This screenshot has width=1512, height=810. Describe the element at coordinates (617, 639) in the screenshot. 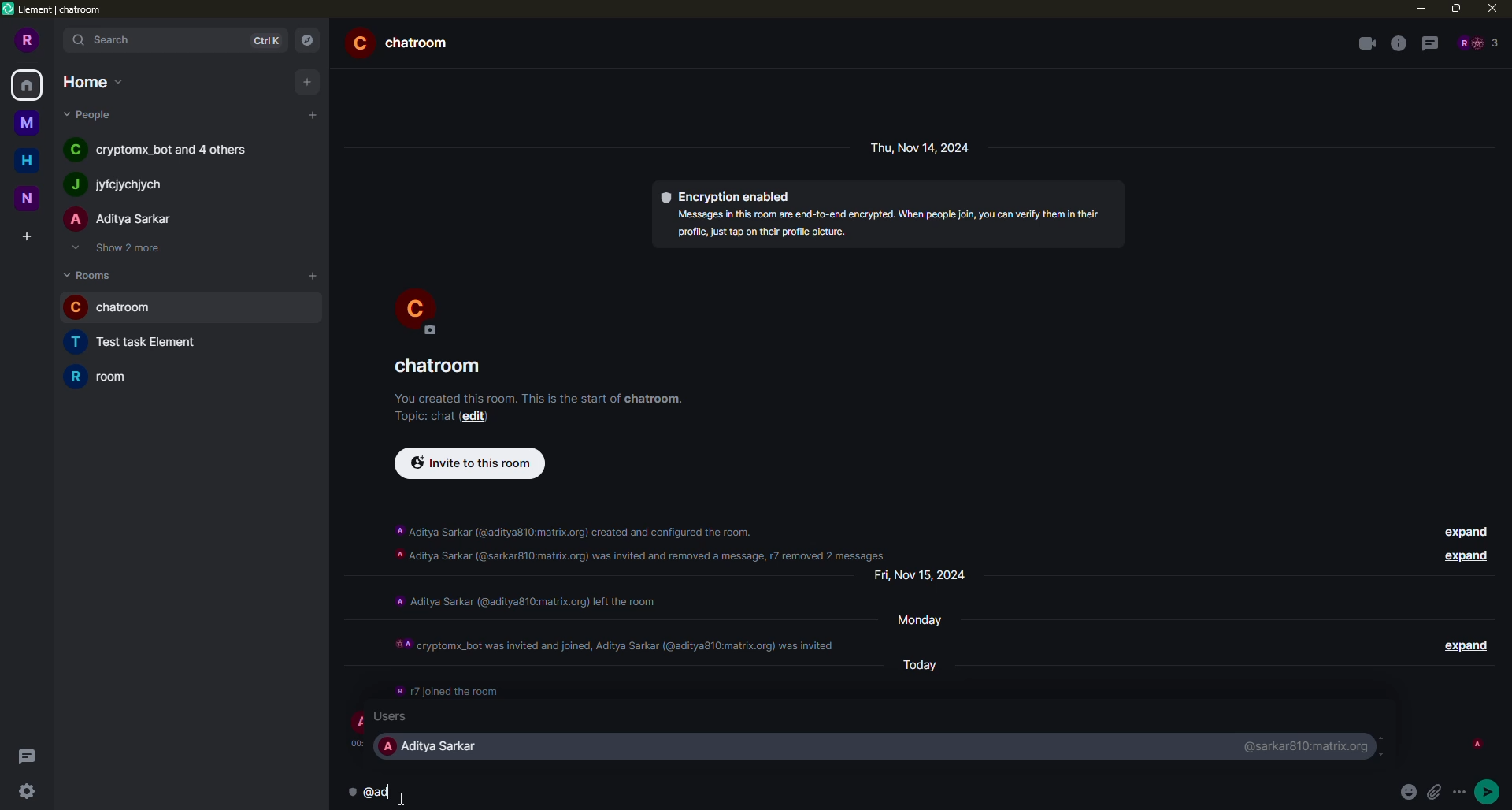

I see `info` at that location.